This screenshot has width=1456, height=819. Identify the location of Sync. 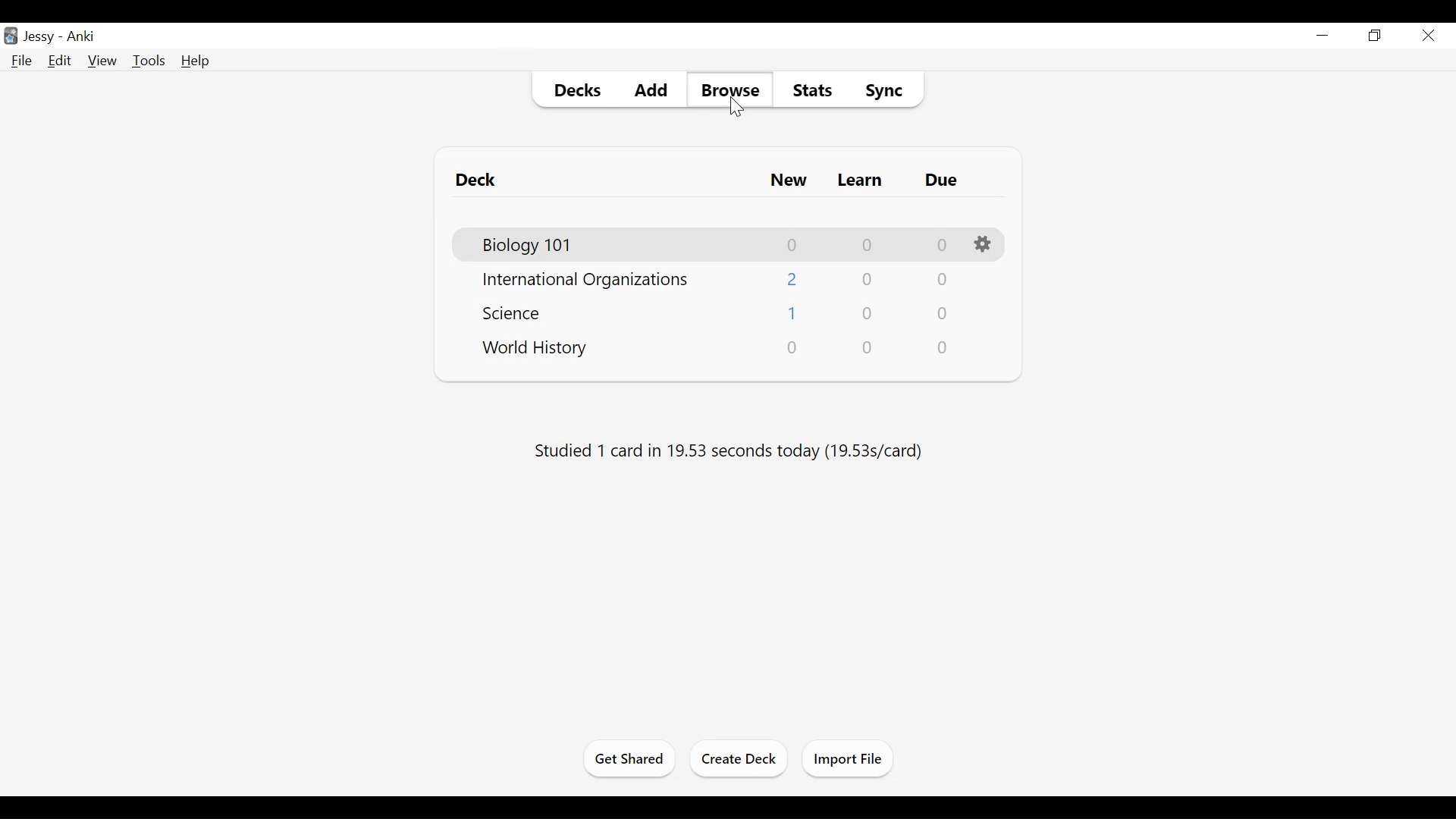
(886, 90).